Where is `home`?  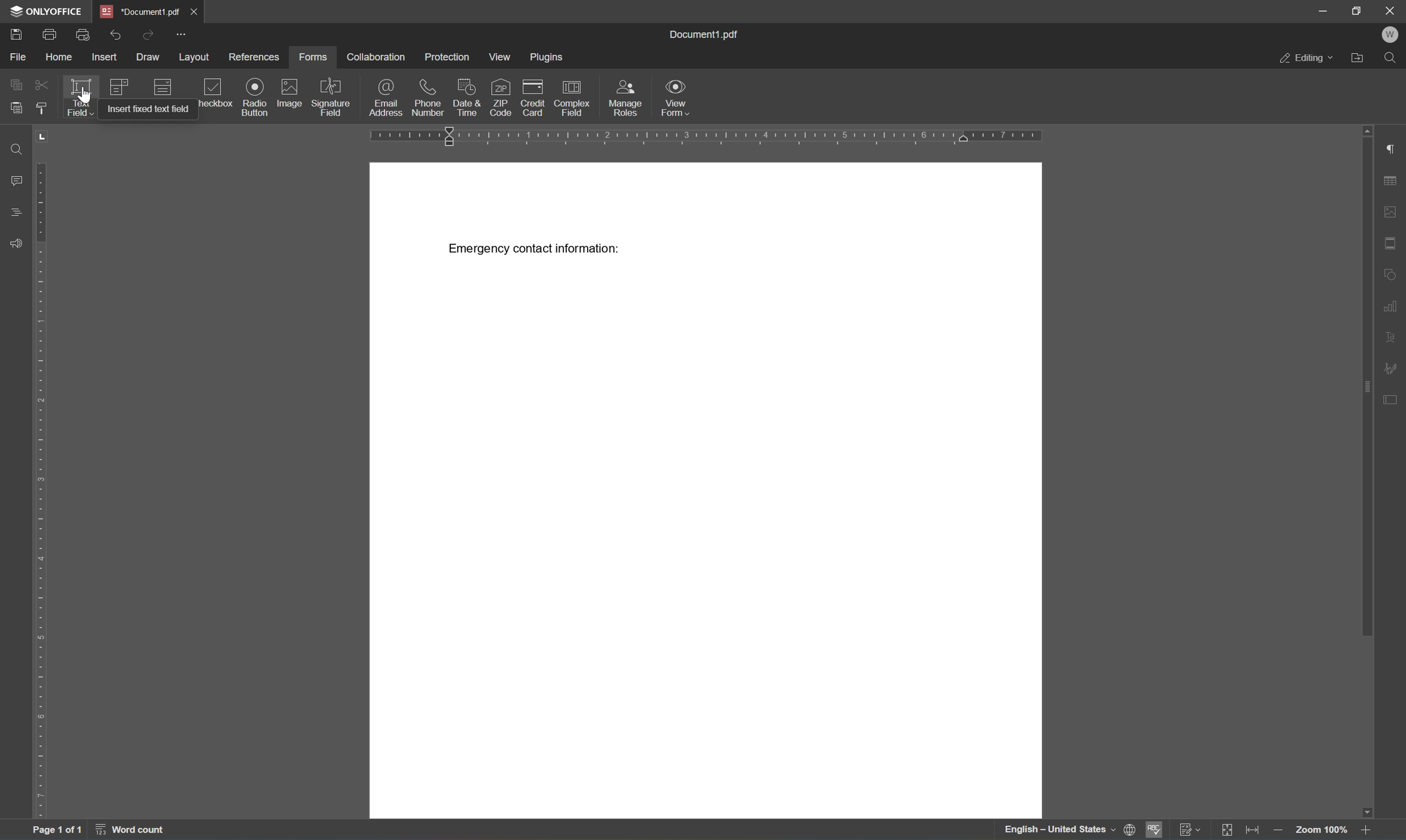
home is located at coordinates (60, 55).